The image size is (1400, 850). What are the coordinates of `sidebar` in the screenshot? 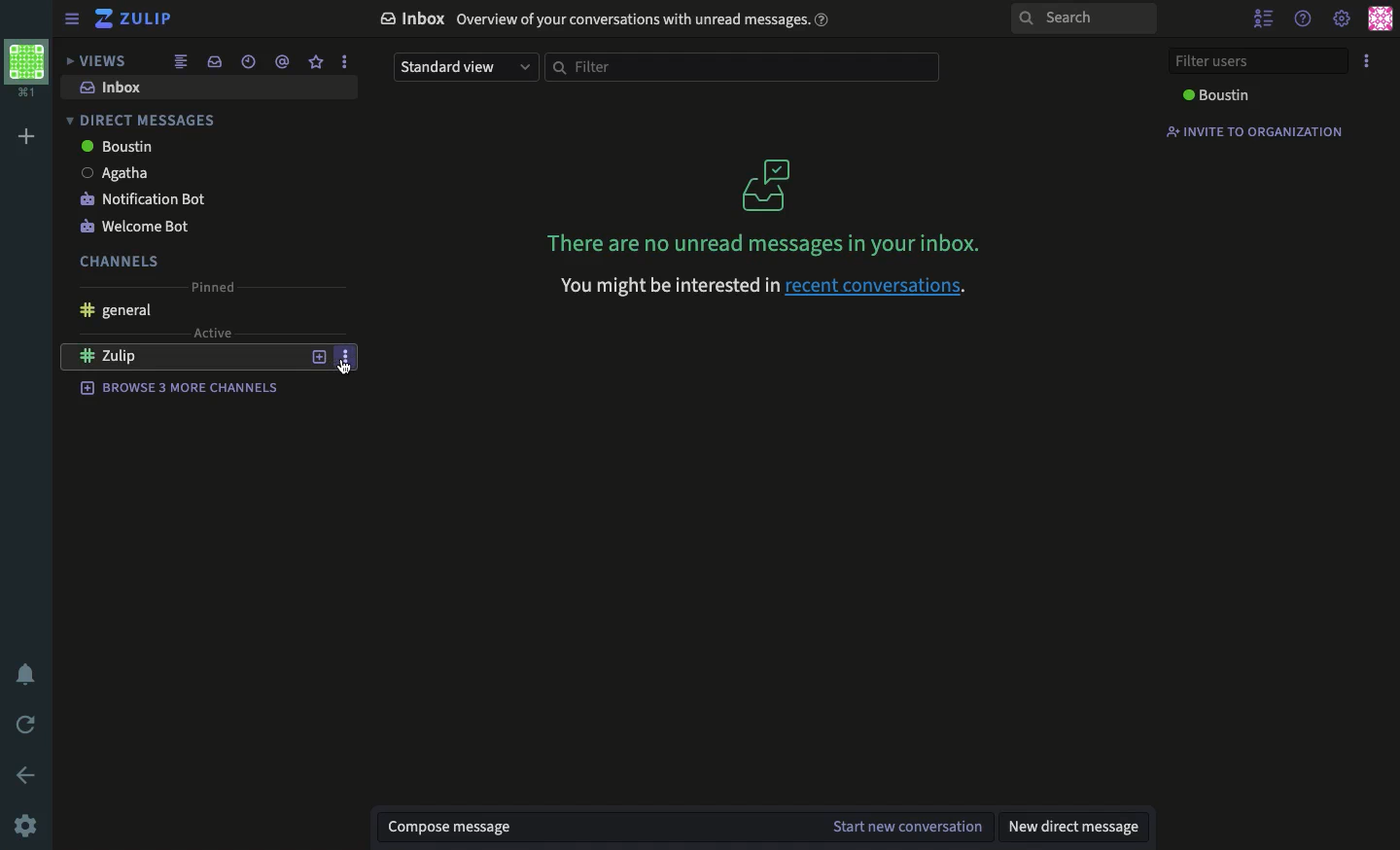 It's located at (71, 20).